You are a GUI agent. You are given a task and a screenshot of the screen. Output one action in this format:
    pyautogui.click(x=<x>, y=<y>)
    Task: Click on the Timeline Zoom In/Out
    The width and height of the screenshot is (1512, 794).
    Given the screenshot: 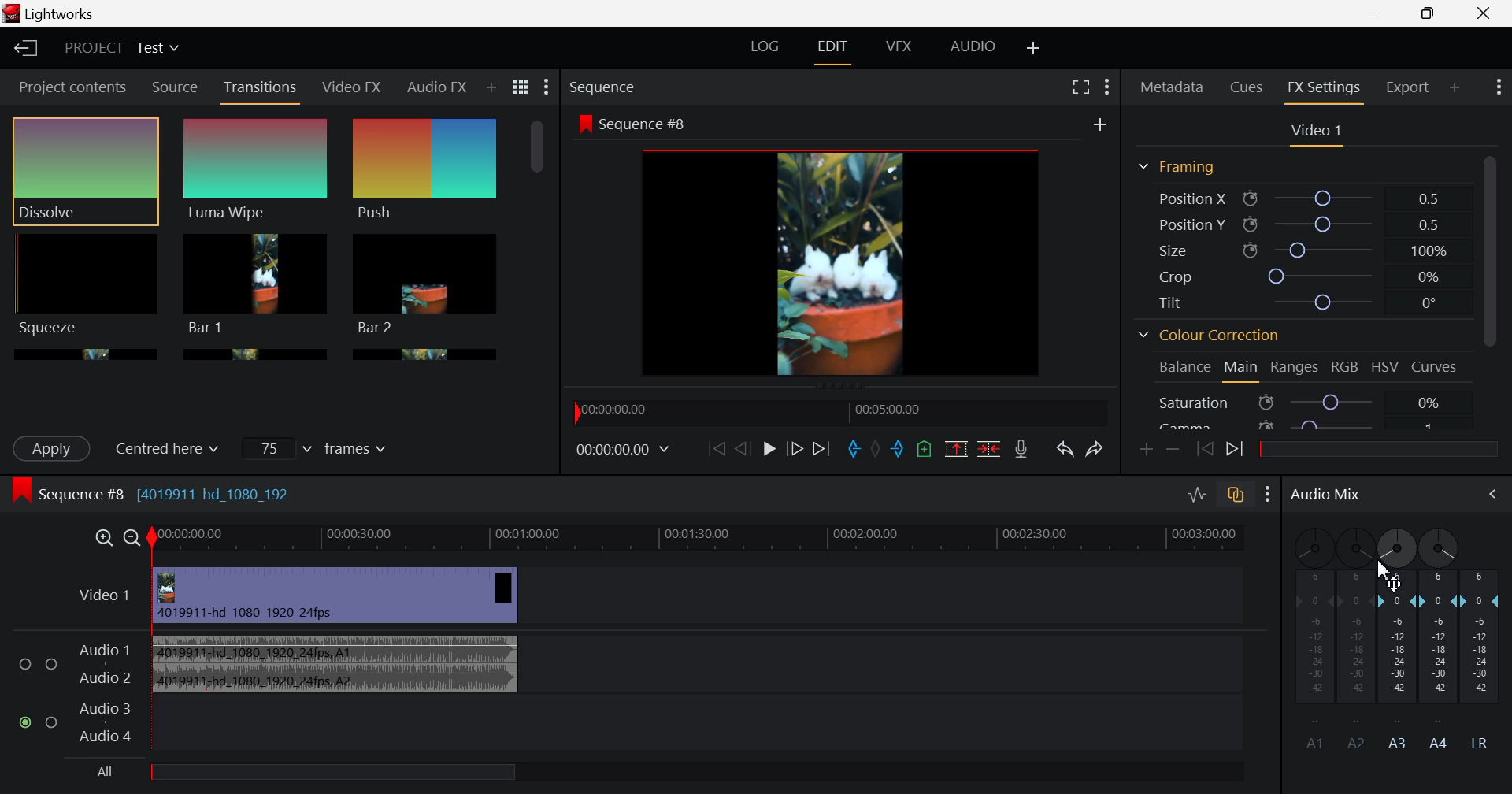 What is the action you would take?
    pyautogui.click(x=114, y=538)
    